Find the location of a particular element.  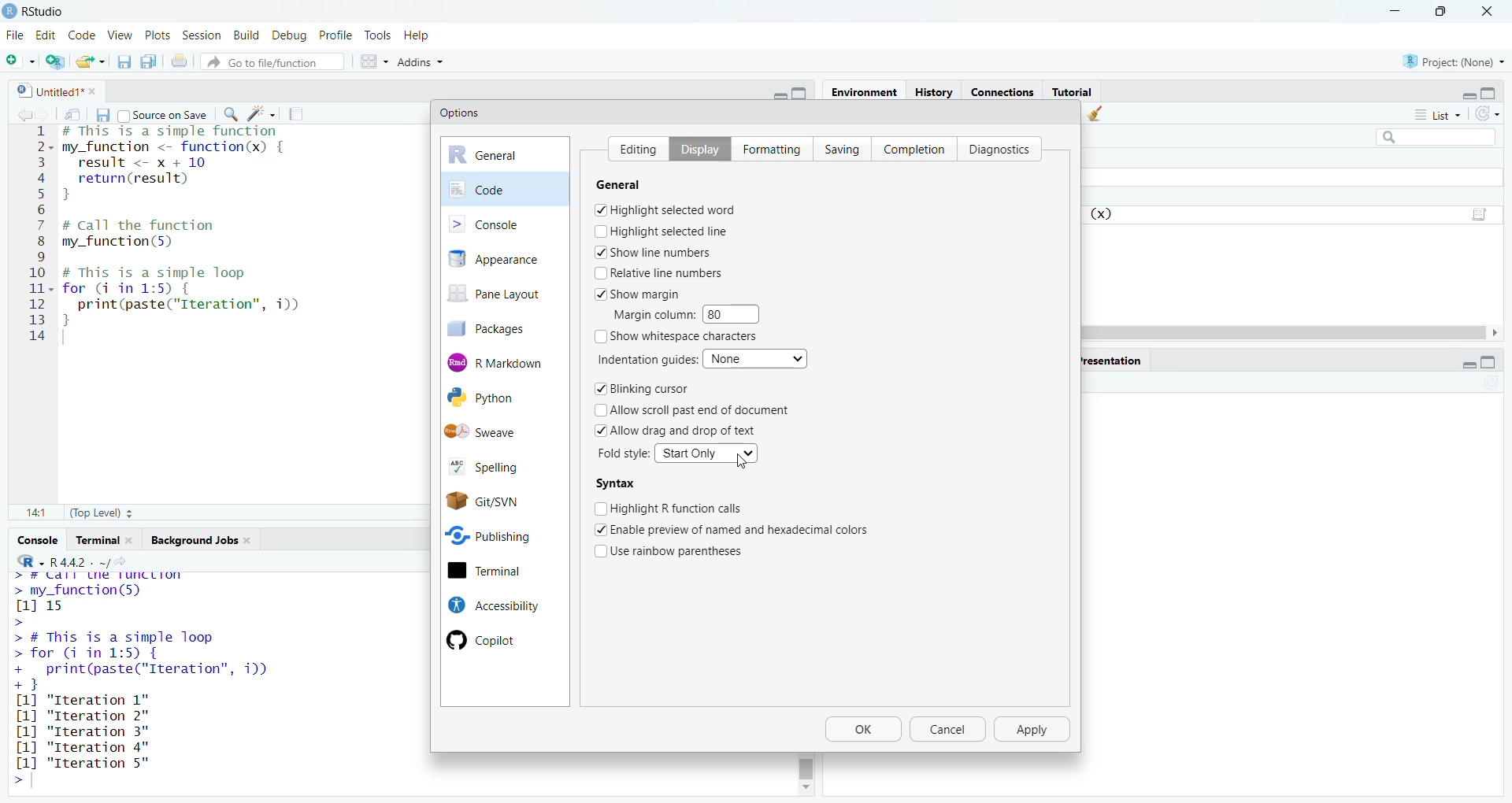

apply is located at coordinates (1035, 730).